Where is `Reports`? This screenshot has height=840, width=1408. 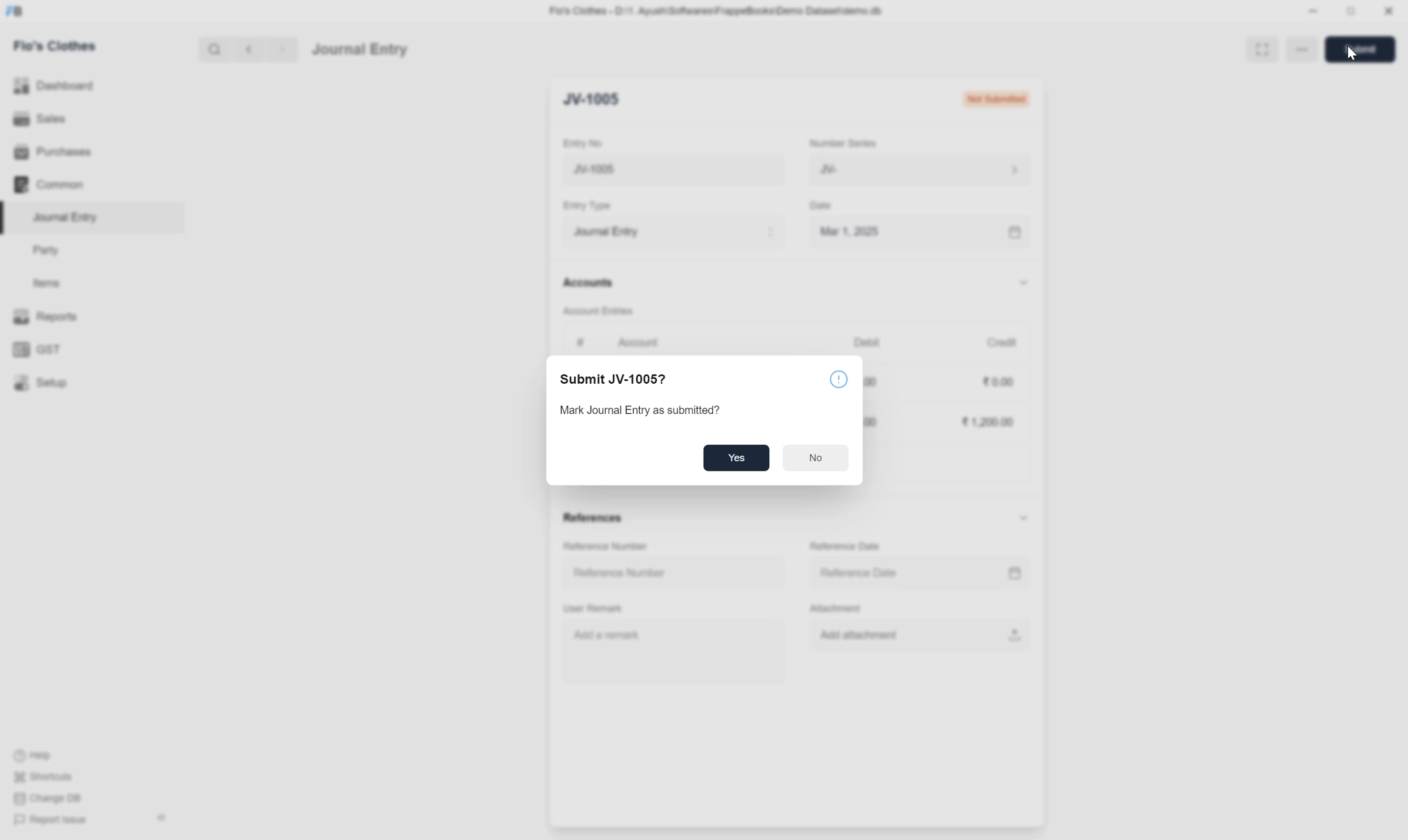
Reports is located at coordinates (49, 316).